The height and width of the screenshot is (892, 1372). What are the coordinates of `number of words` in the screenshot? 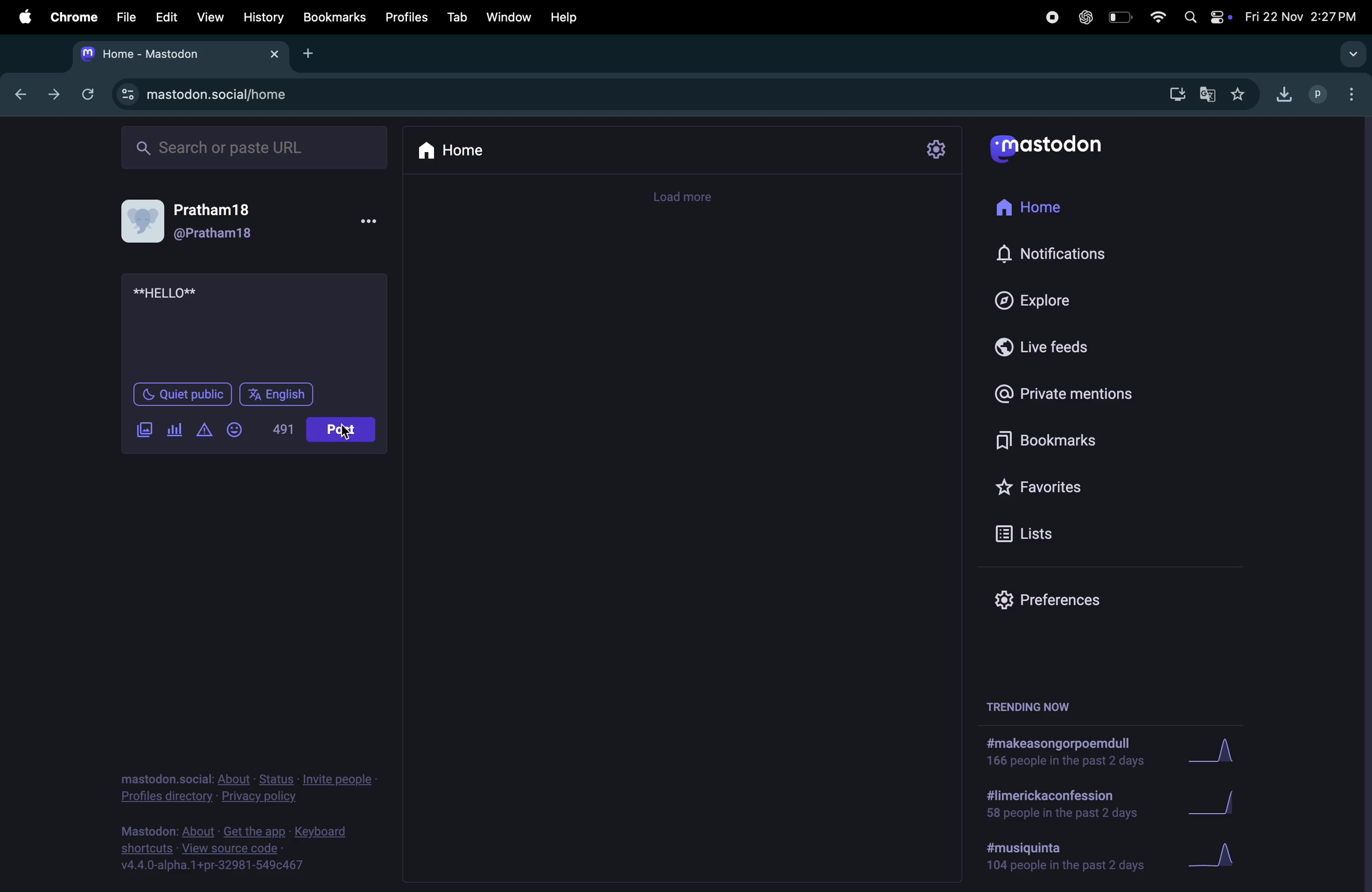 It's located at (278, 430).